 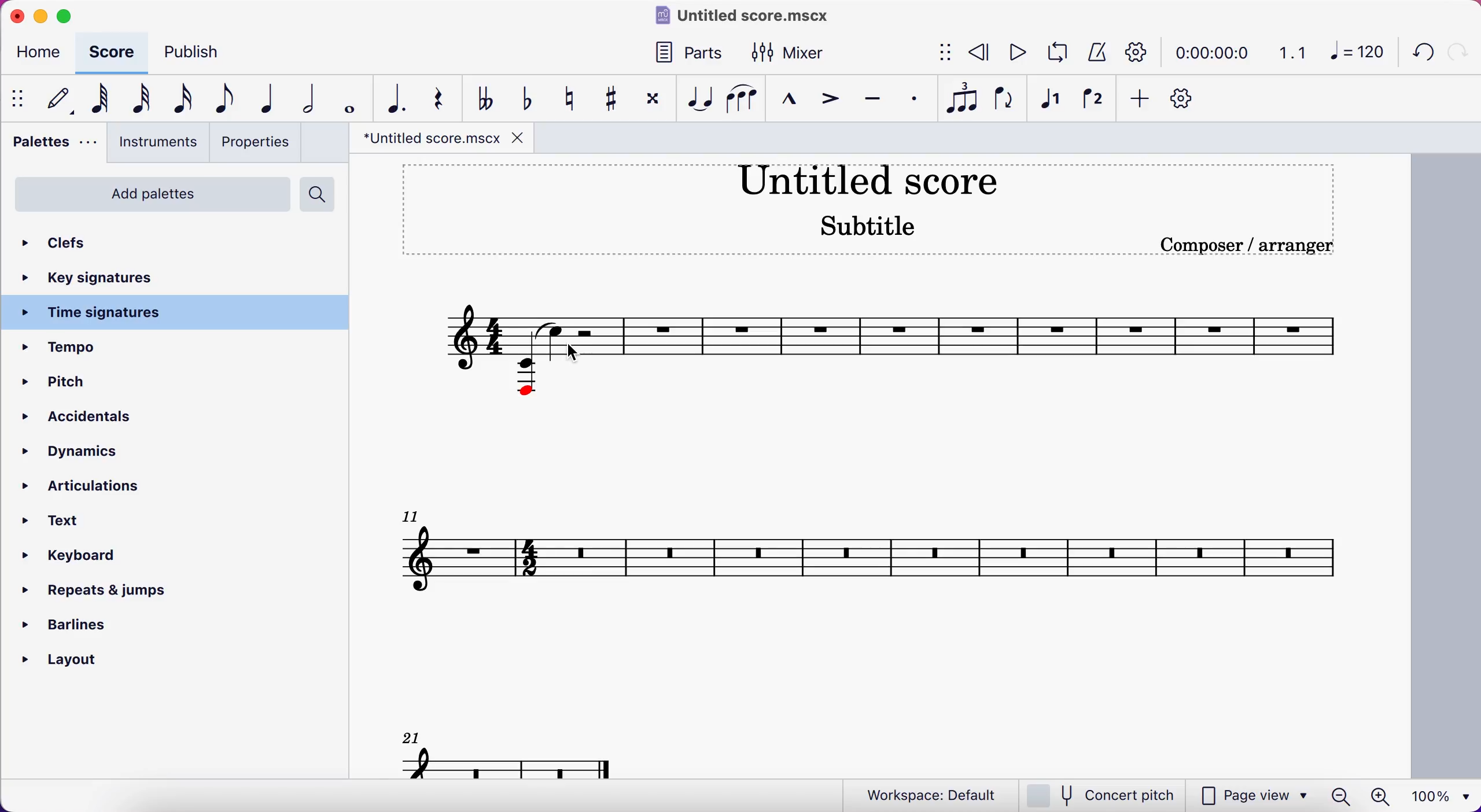 What do you see at coordinates (1291, 52) in the screenshot?
I see `1.1` at bounding box center [1291, 52].